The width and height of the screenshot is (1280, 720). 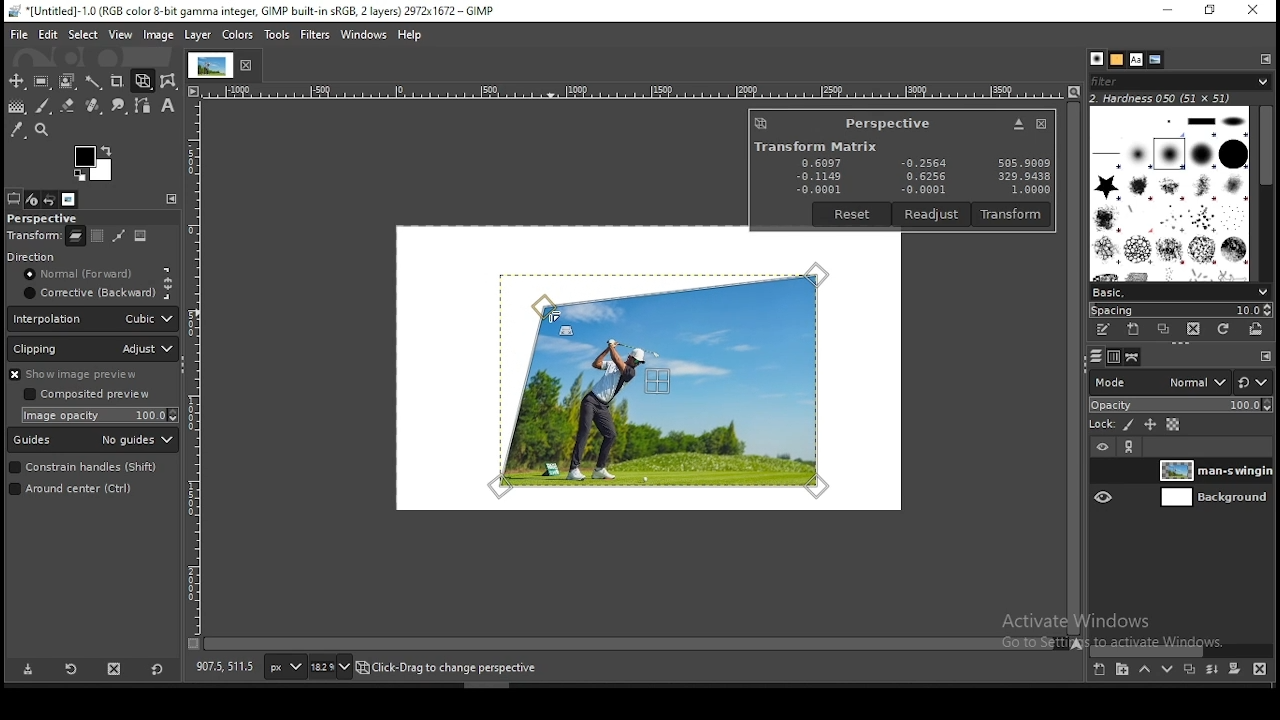 What do you see at coordinates (33, 237) in the screenshot?
I see `transform` at bounding box center [33, 237].